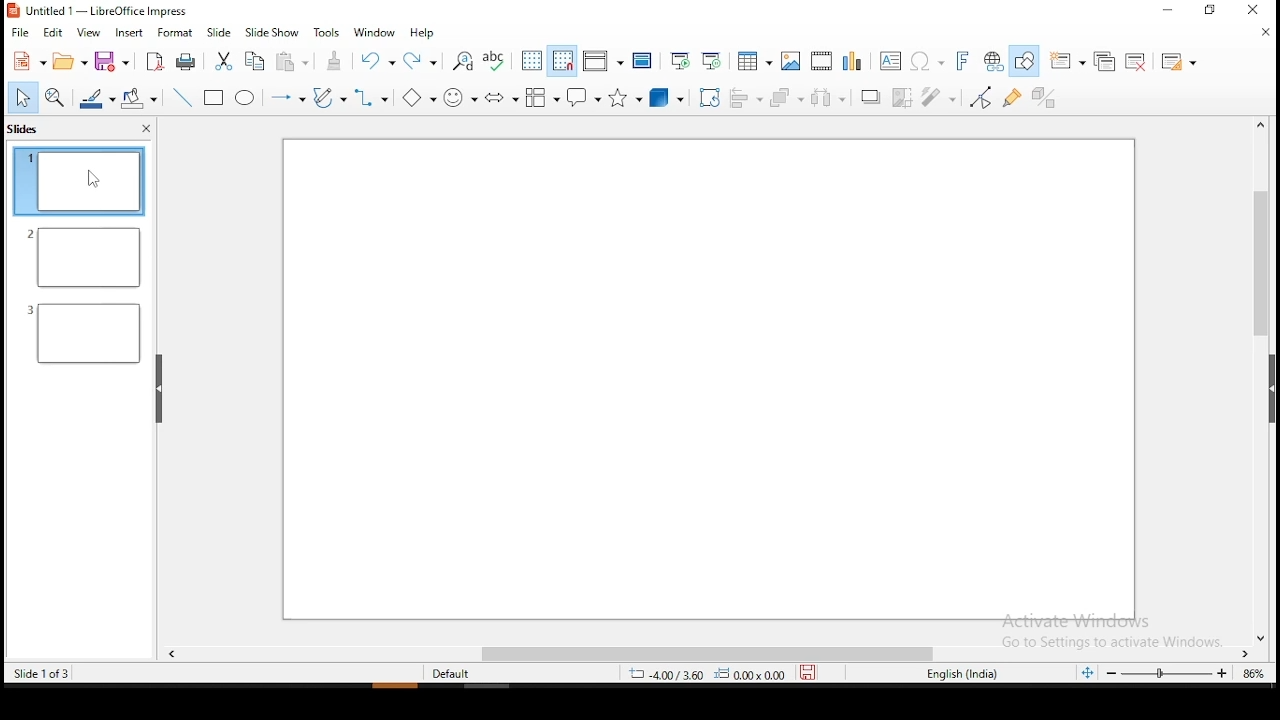 This screenshot has width=1280, height=720. I want to click on zoom and pan, so click(57, 98).